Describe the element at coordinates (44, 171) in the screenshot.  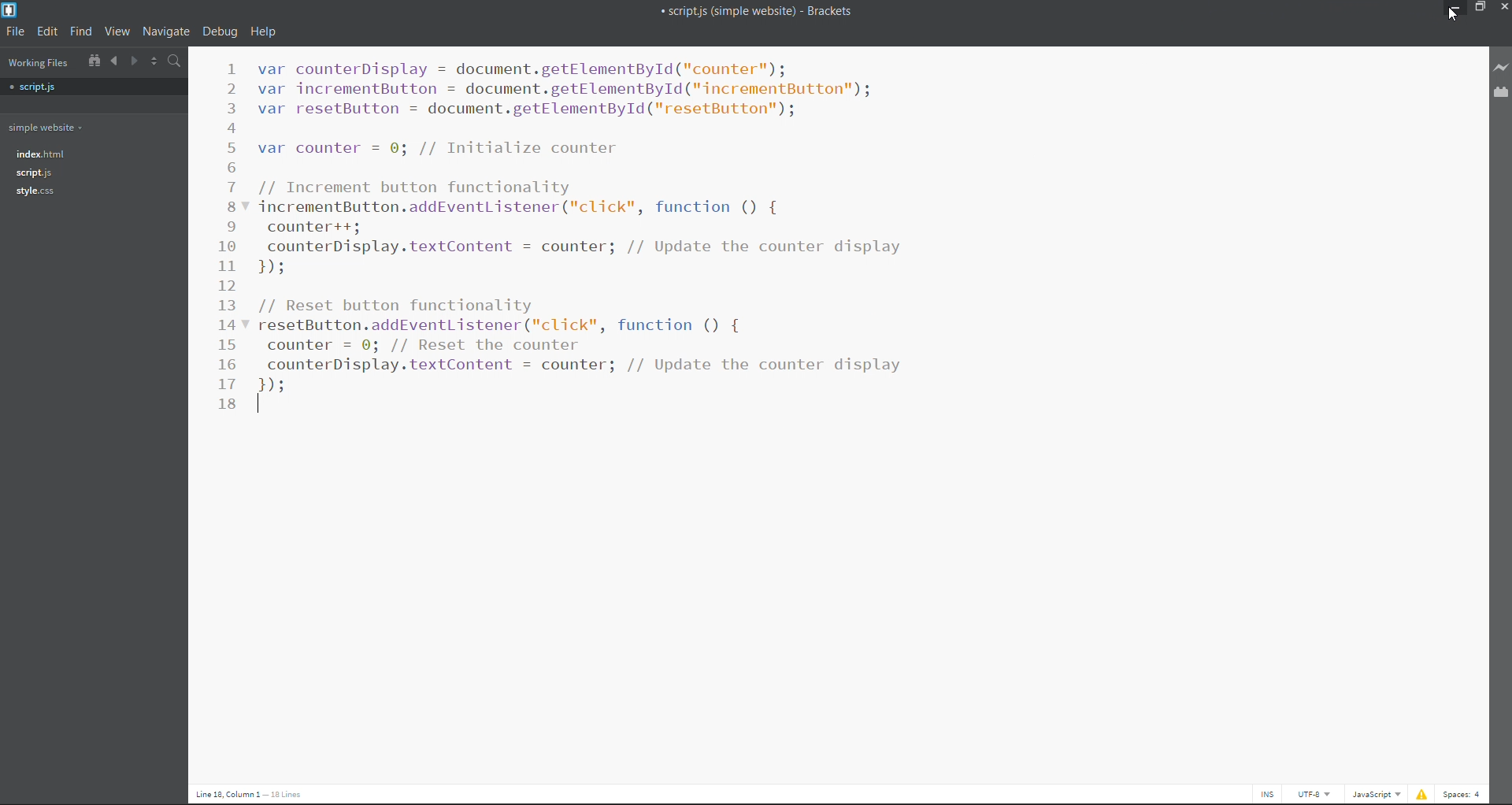
I see `script.js` at that location.